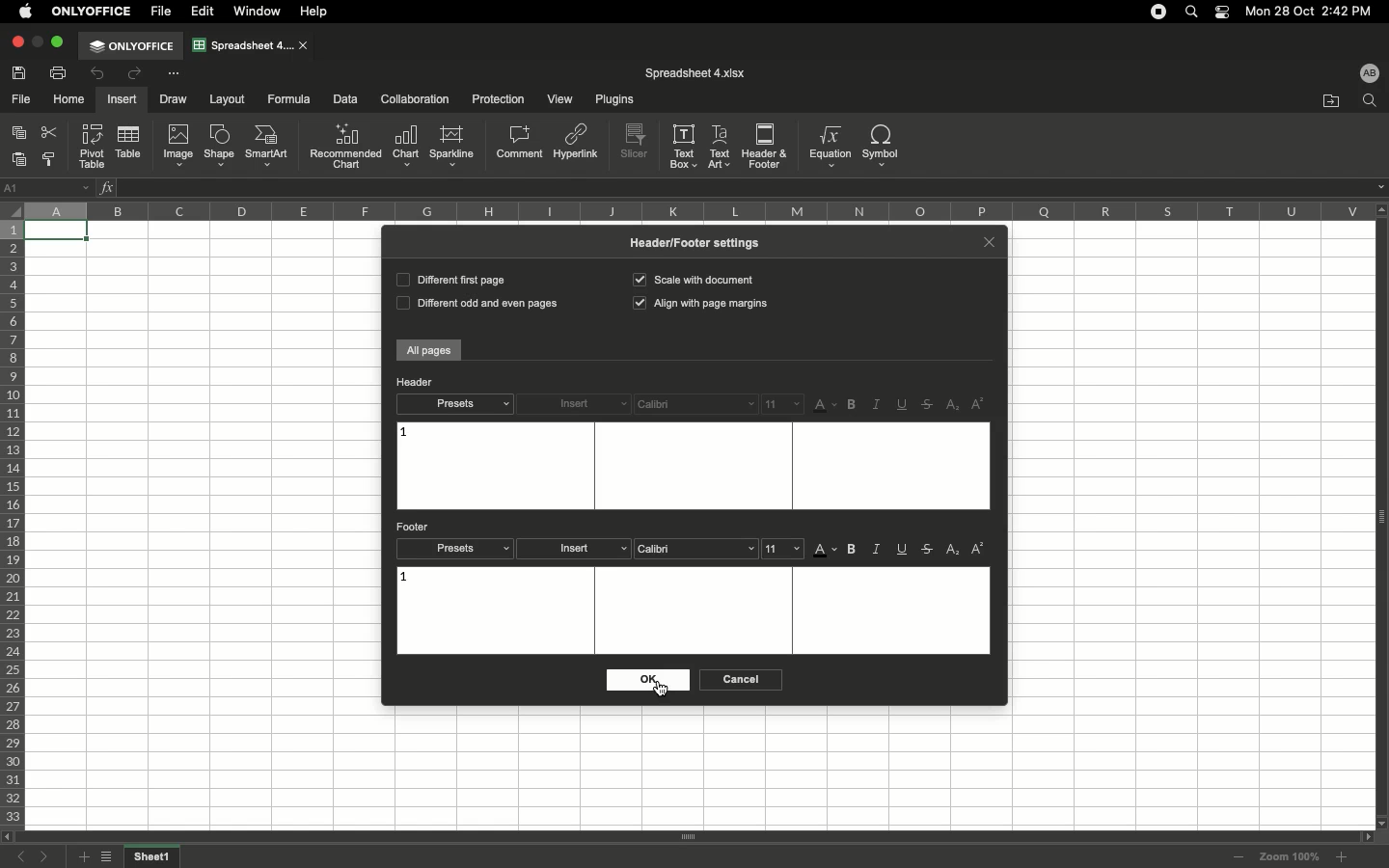  Describe the element at coordinates (1380, 209) in the screenshot. I see `scroll up` at that location.